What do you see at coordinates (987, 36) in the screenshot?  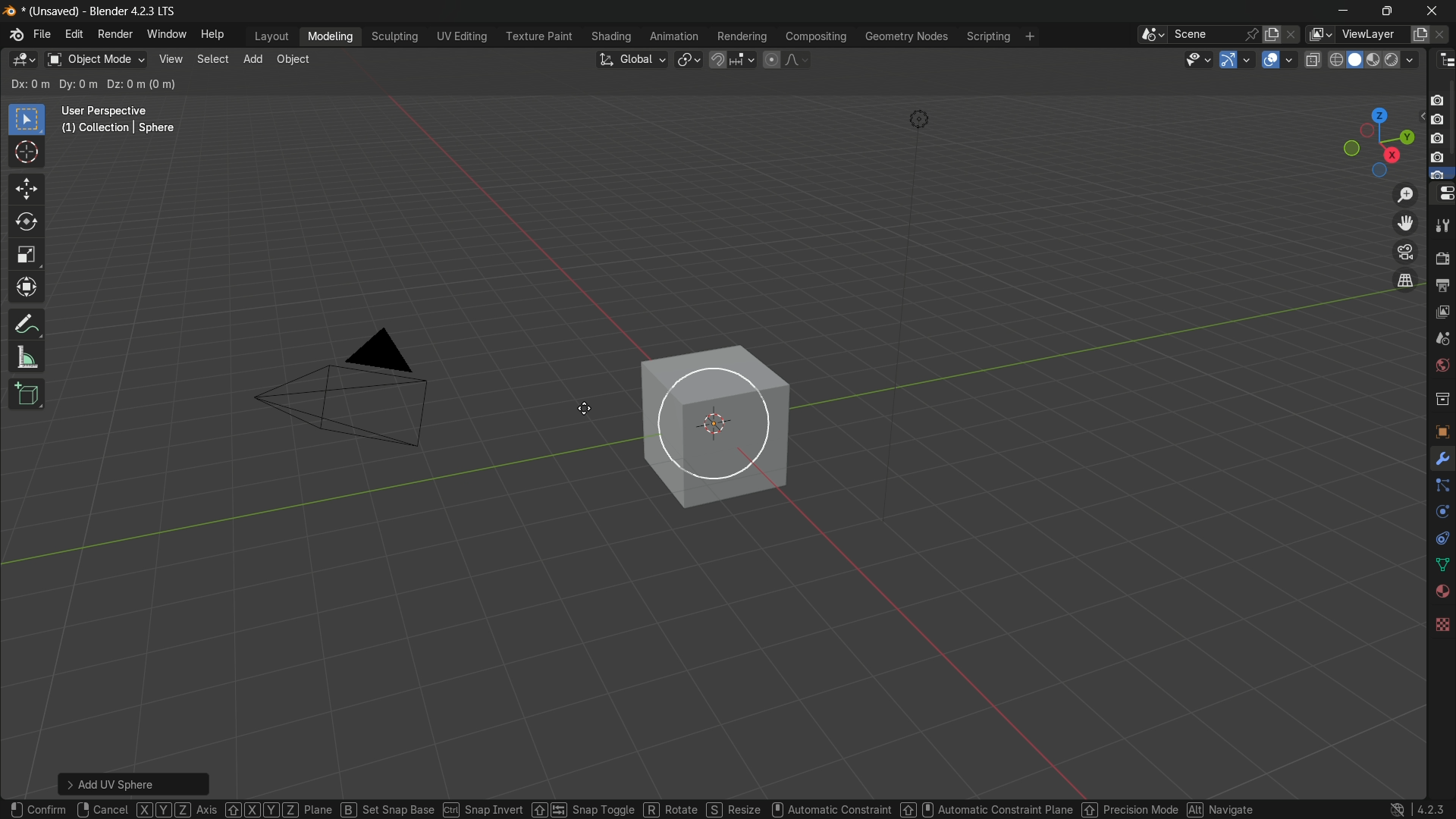 I see `scripting menu` at bounding box center [987, 36].